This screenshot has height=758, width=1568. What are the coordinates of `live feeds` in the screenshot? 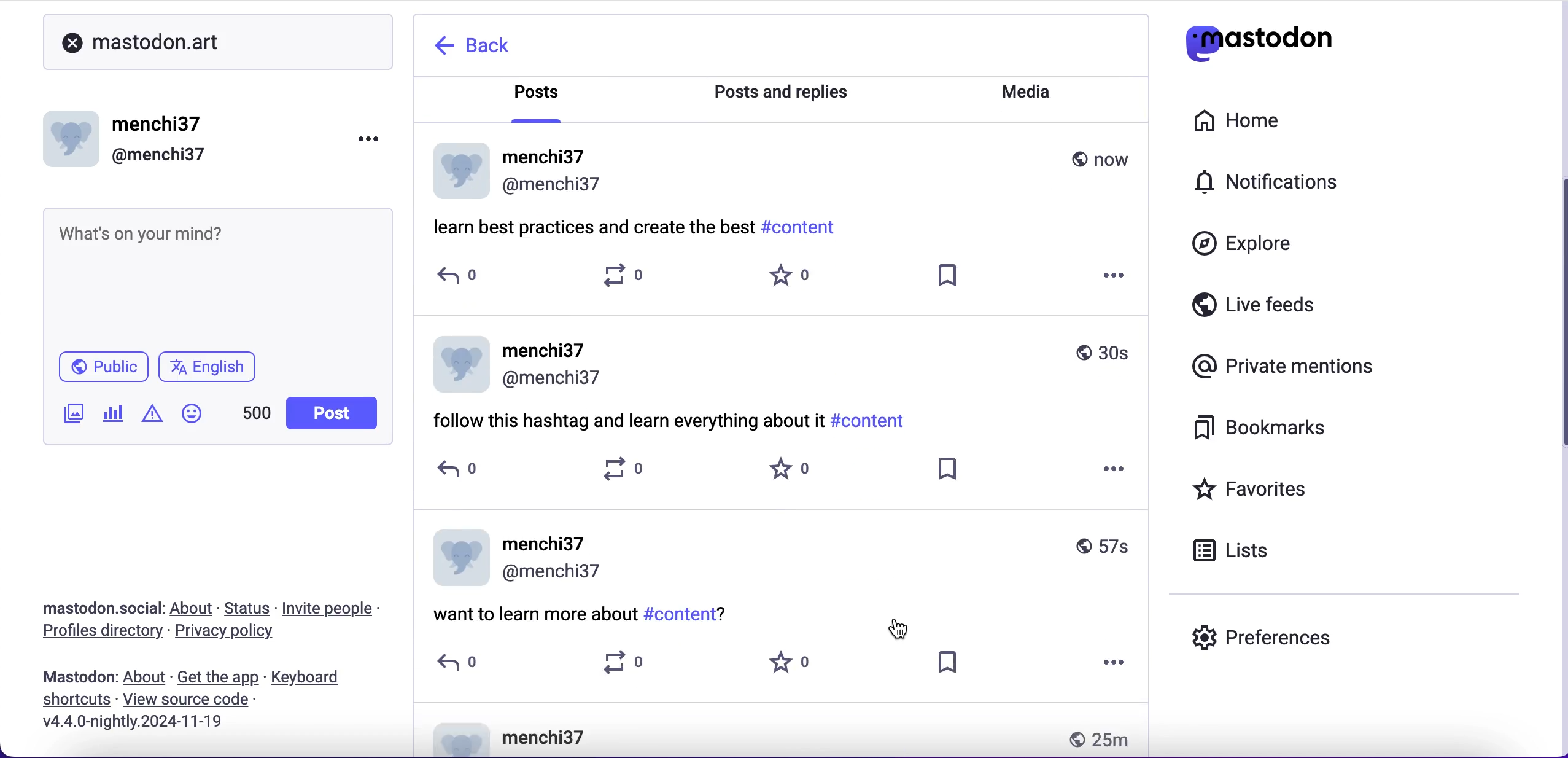 It's located at (1297, 305).